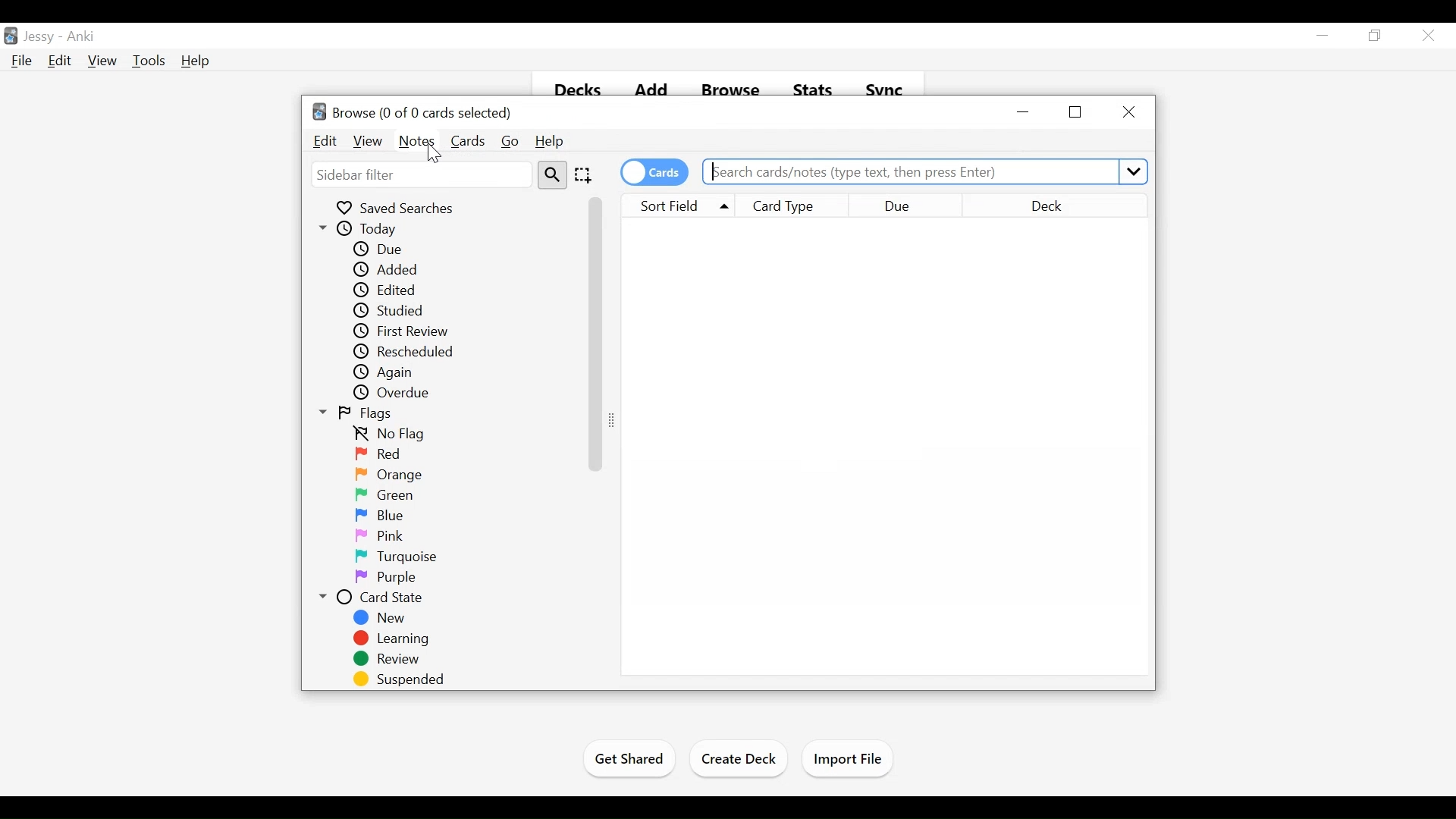 This screenshot has height=819, width=1456. I want to click on Learning, so click(390, 639).